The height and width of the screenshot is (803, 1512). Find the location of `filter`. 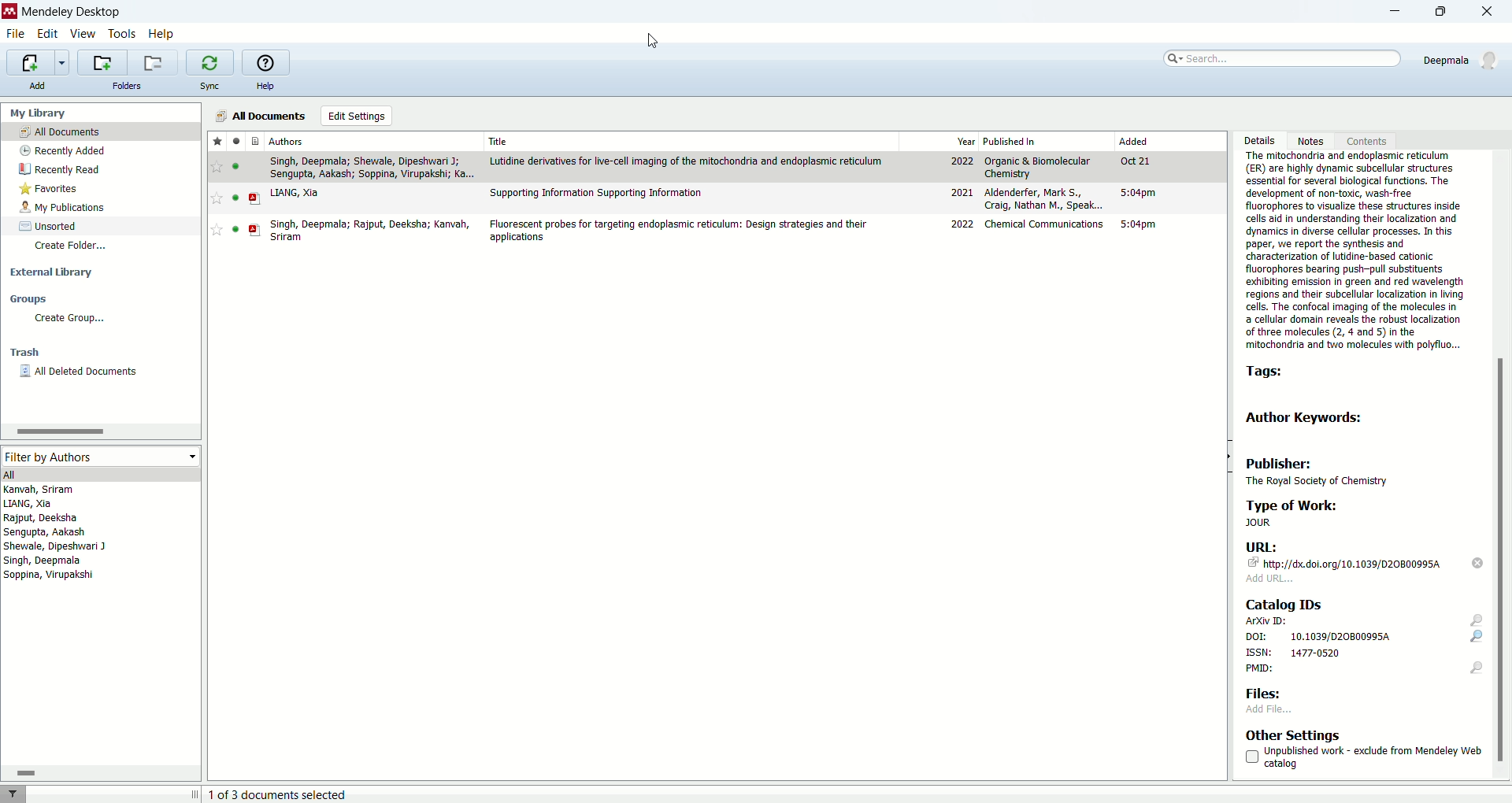

filter is located at coordinates (13, 794).